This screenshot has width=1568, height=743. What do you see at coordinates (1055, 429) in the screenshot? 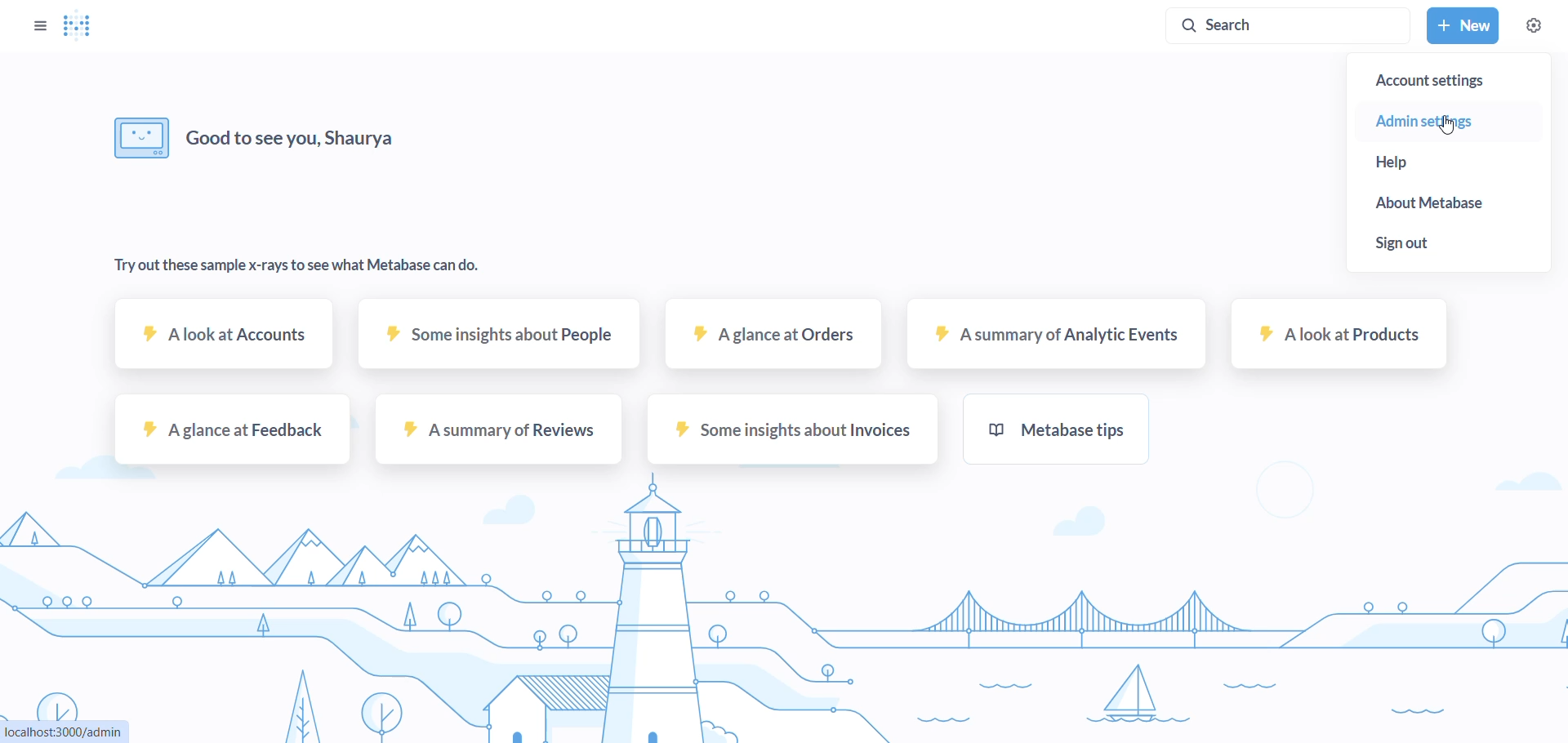
I see `metabase tips` at bounding box center [1055, 429].